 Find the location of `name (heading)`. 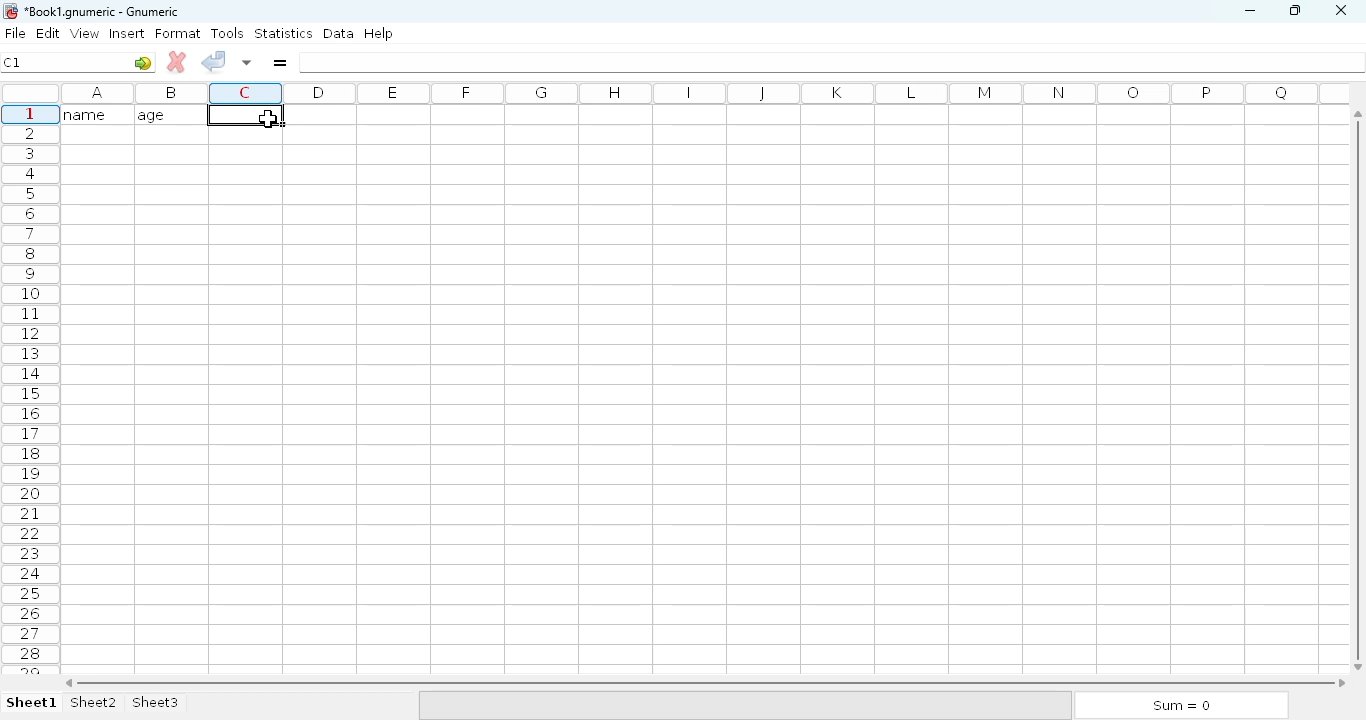

name (heading) is located at coordinates (91, 114).